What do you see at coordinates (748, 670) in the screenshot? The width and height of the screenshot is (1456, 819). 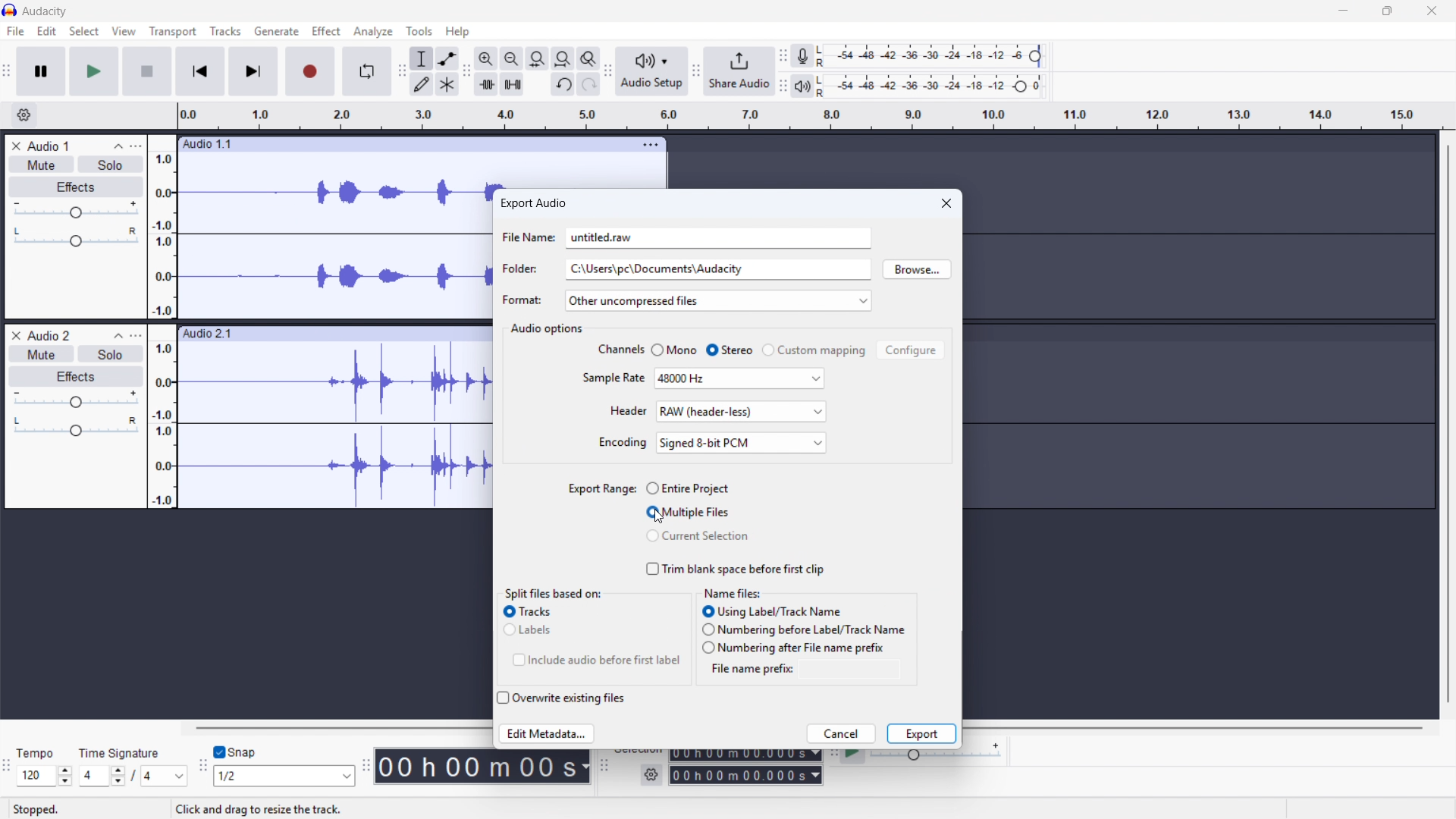 I see `File name prefix` at bounding box center [748, 670].